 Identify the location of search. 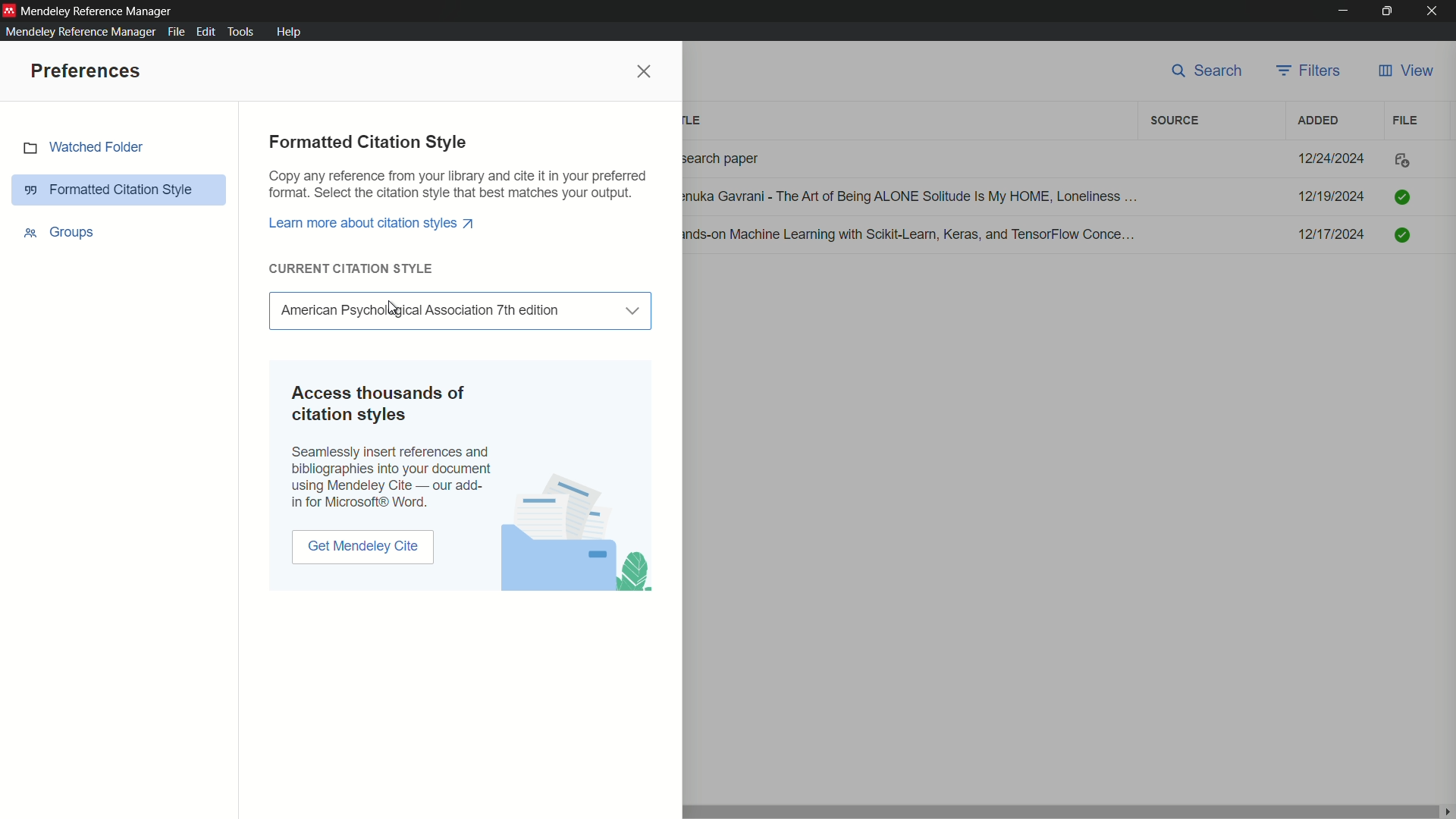
(1209, 72).